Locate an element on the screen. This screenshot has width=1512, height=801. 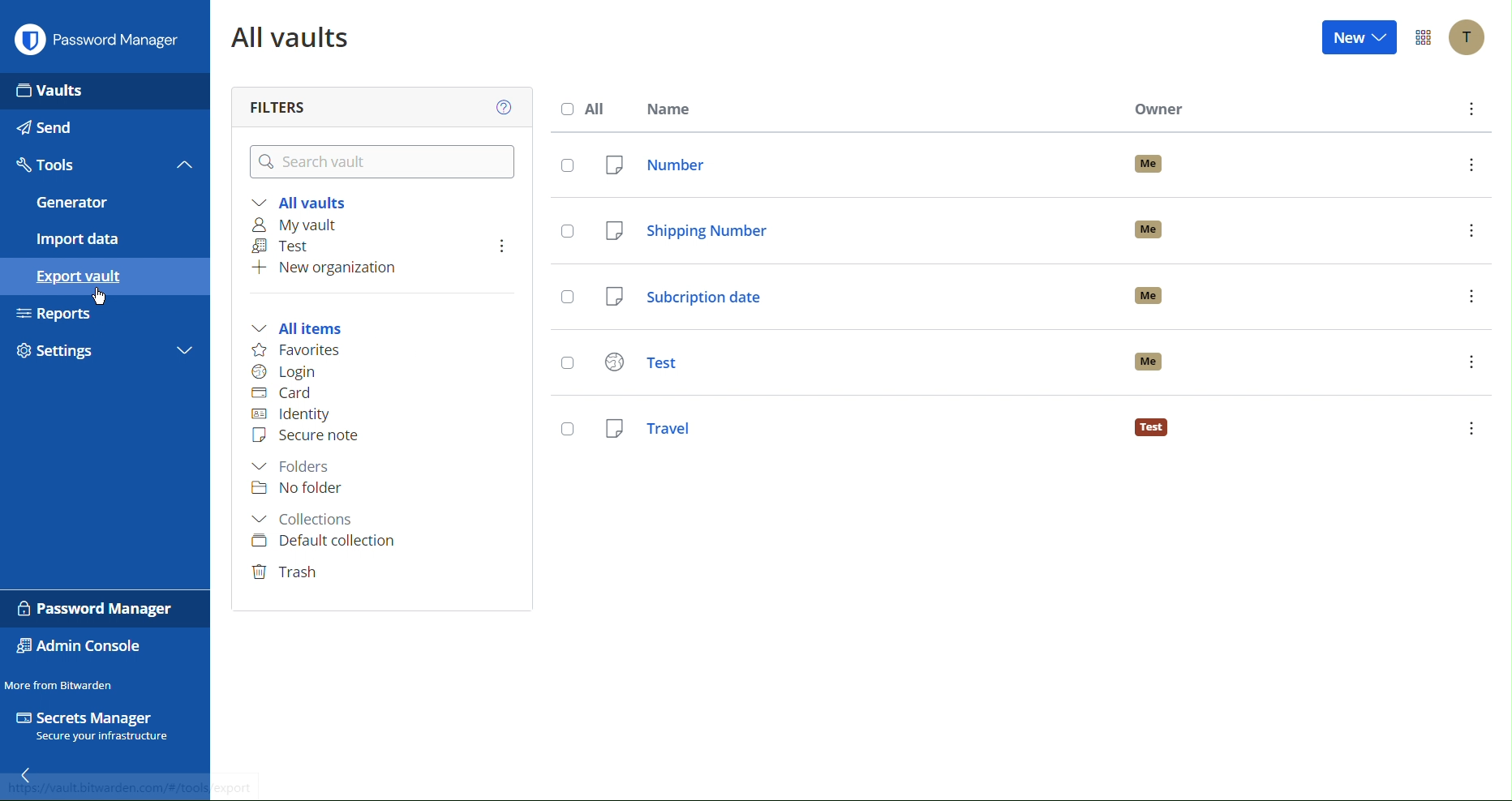
Import Data is located at coordinates (79, 240).